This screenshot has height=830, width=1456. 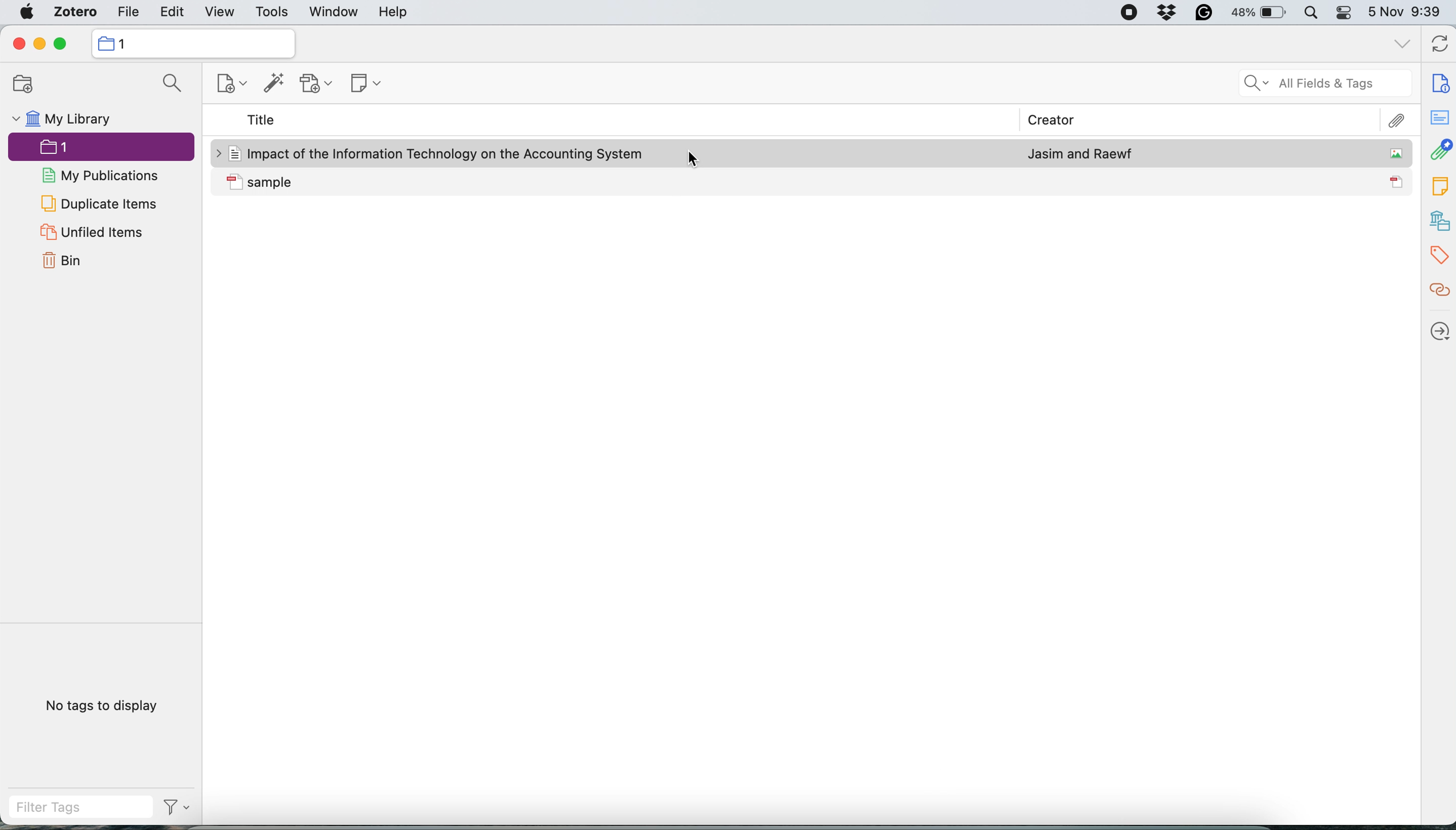 What do you see at coordinates (169, 83) in the screenshot?
I see `search` at bounding box center [169, 83].